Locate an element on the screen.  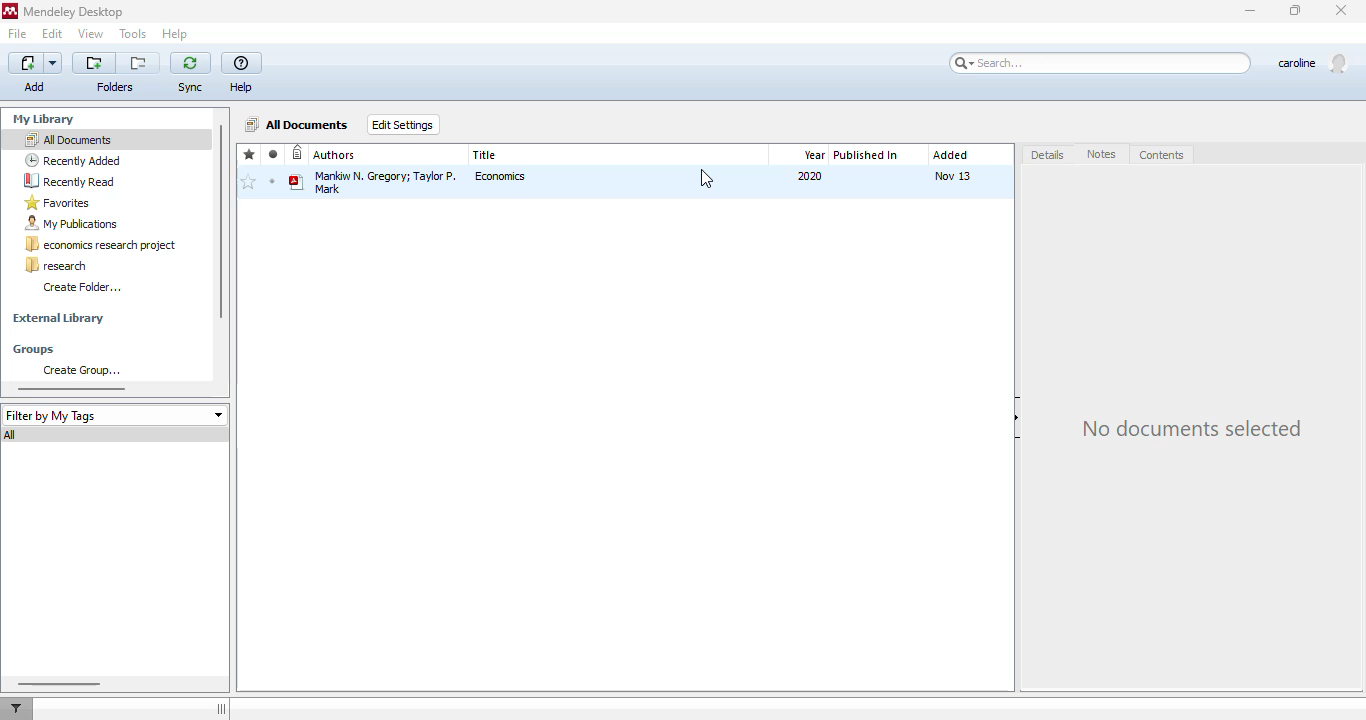
my library is located at coordinates (46, 119).